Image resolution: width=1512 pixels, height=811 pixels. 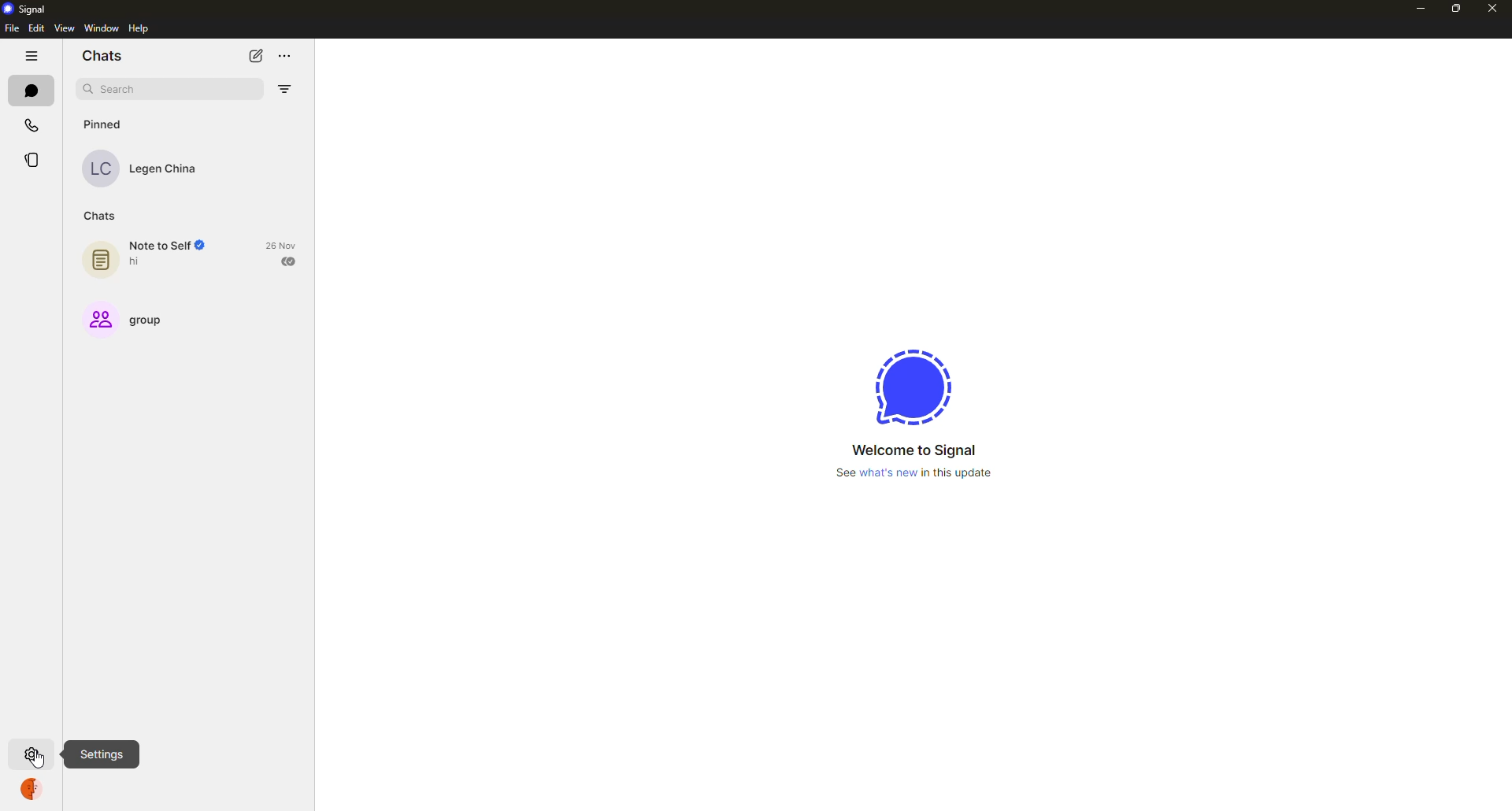 What do you see at coordinates (67, 29) in the screenshot?
I see `view` at bounding box center [67, 29].